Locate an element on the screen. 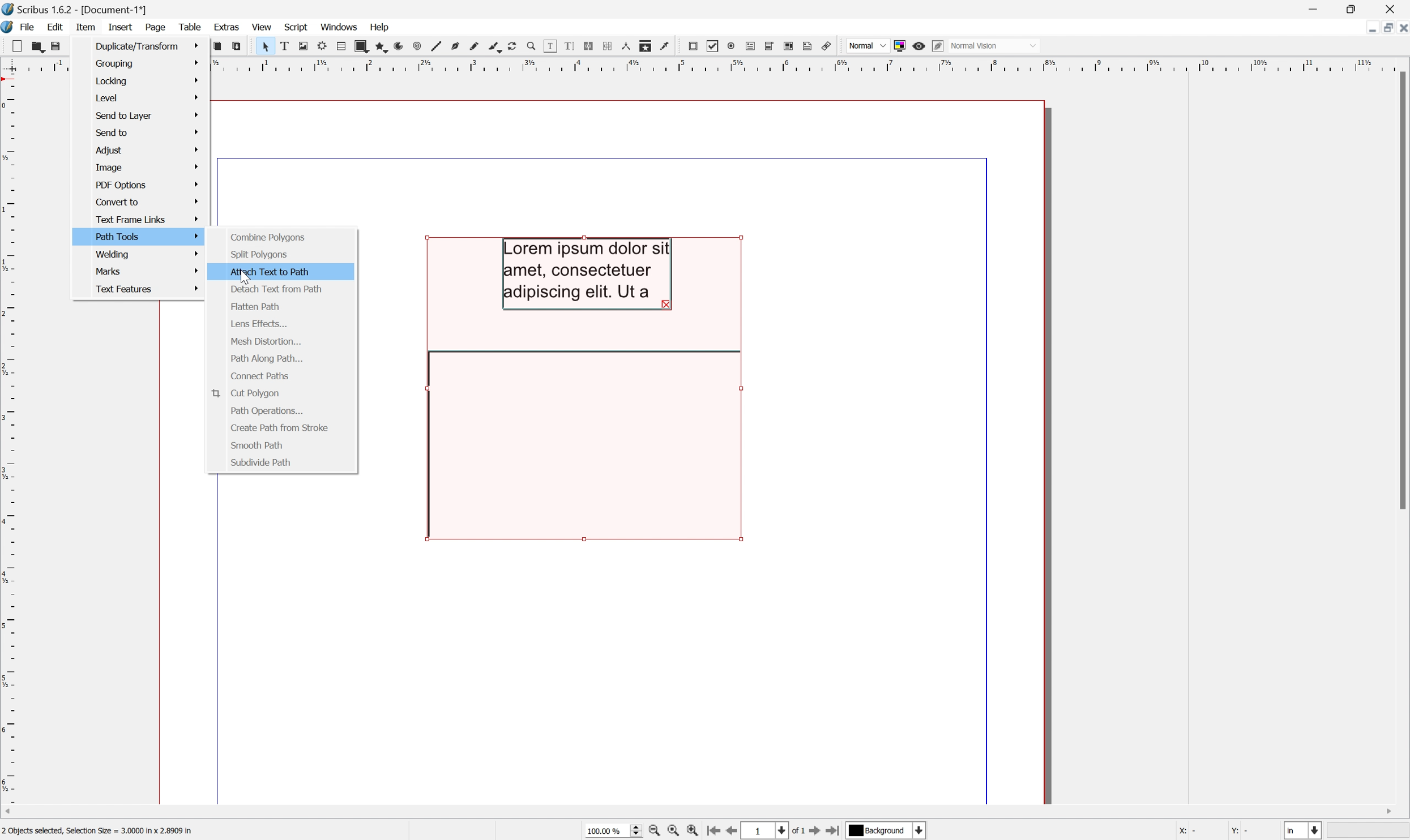 Image resolution: width=1410 pixels, height=840 pixels. View is located at coordinates (263, 27).